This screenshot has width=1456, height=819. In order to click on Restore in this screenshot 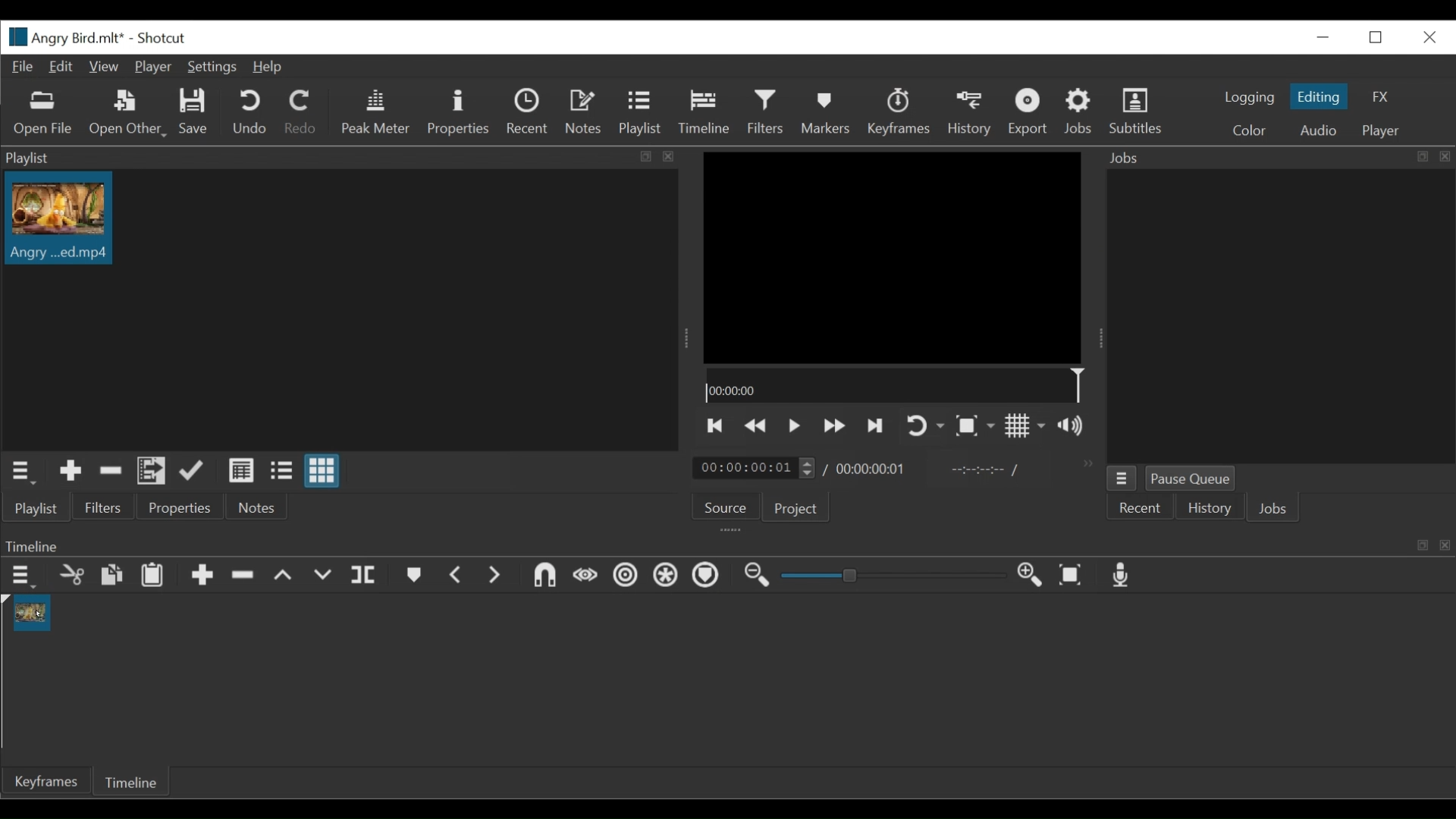, I will do `click(1376, 37)`.